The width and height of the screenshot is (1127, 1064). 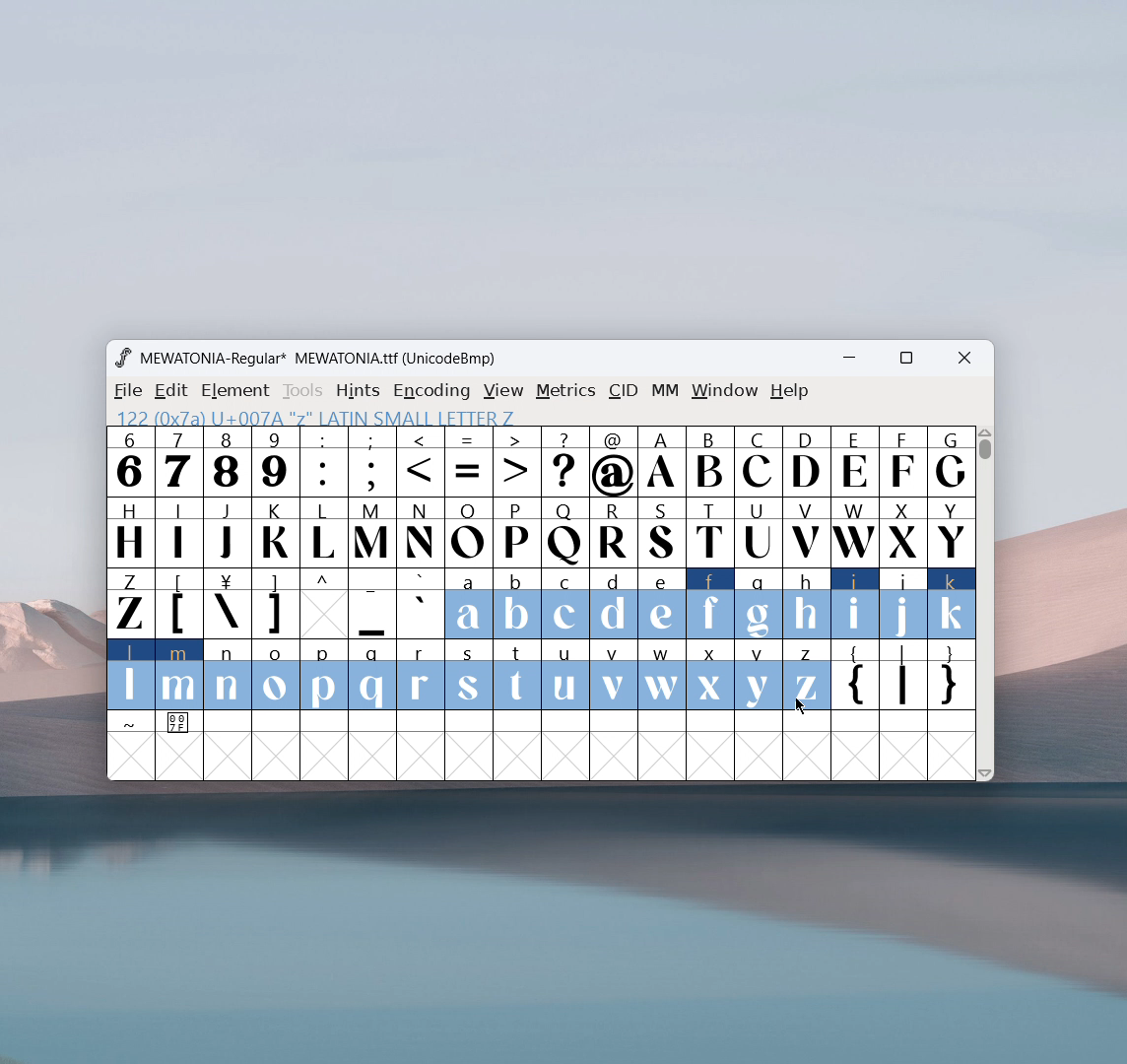 What do you see at coordinates (903, 531) in the screenshot?
I see `X` at bounding box center [903, 531].